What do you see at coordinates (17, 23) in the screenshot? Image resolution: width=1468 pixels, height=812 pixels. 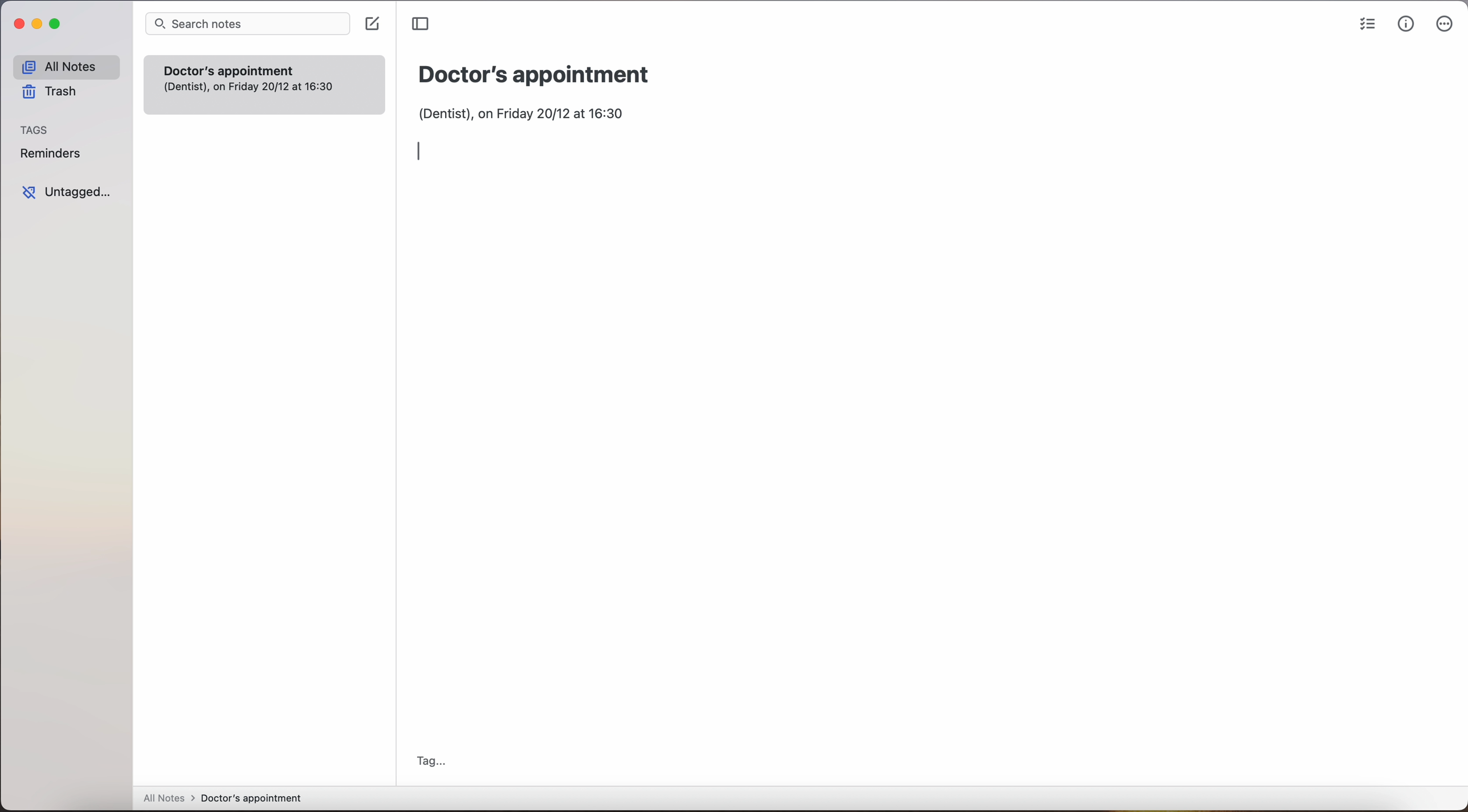 I see `close app` at bounding box center [17, 23].